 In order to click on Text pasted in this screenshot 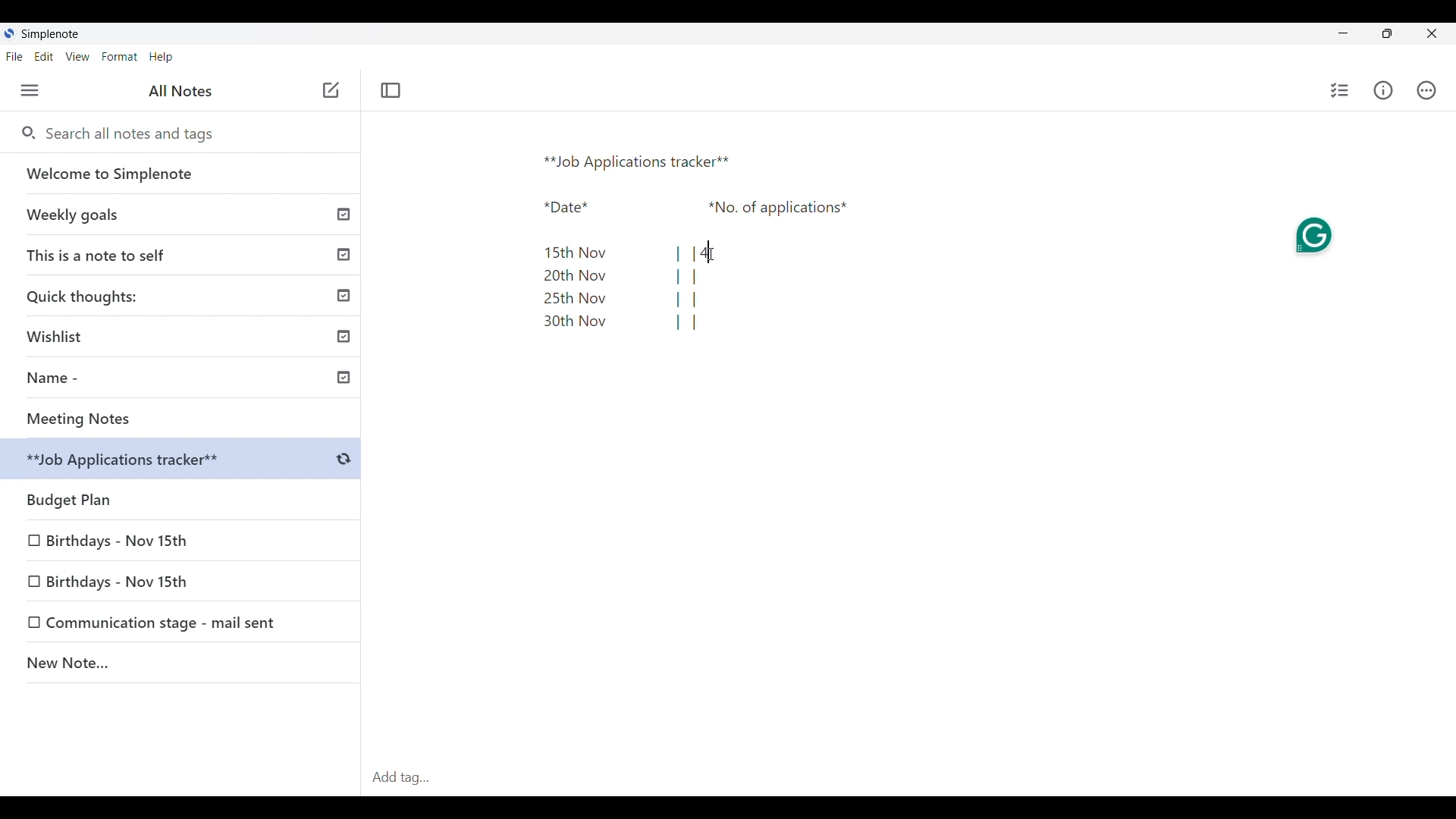, I will do `click(698, 243)`.